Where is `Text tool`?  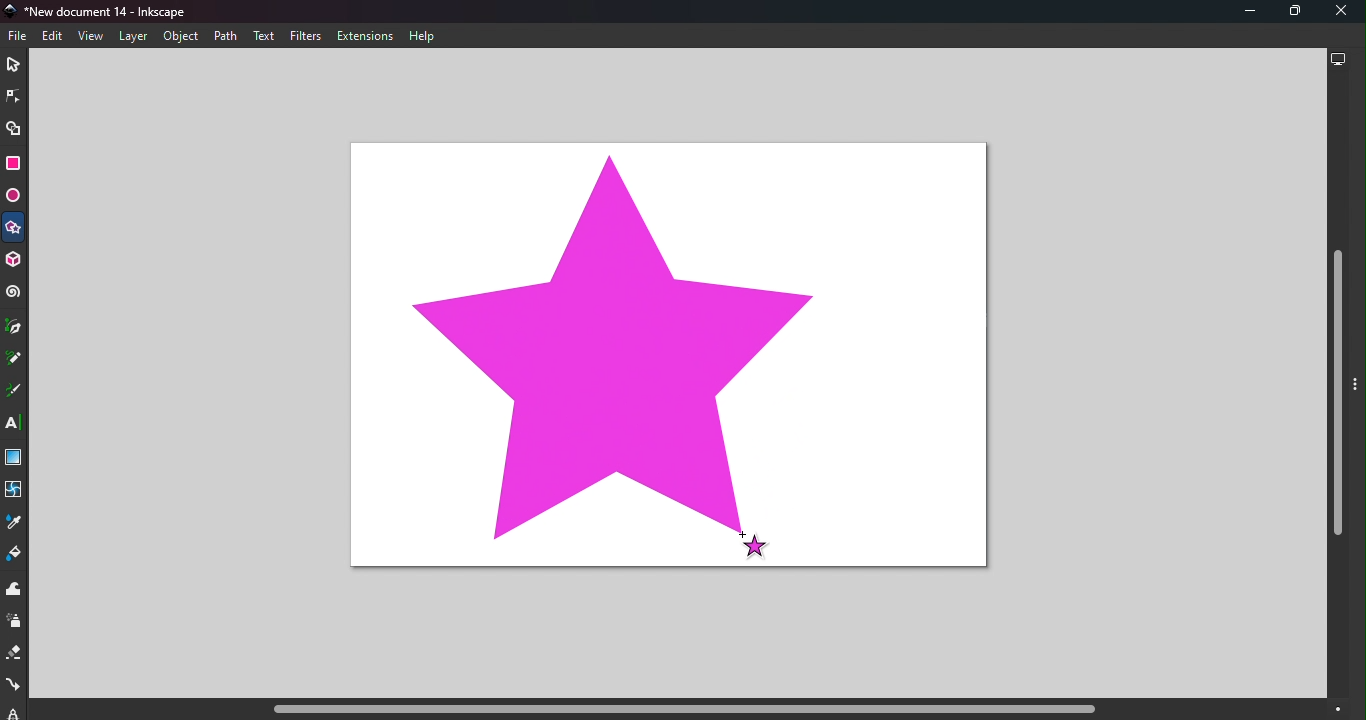 Text tool is located at coordinates (15, 424).